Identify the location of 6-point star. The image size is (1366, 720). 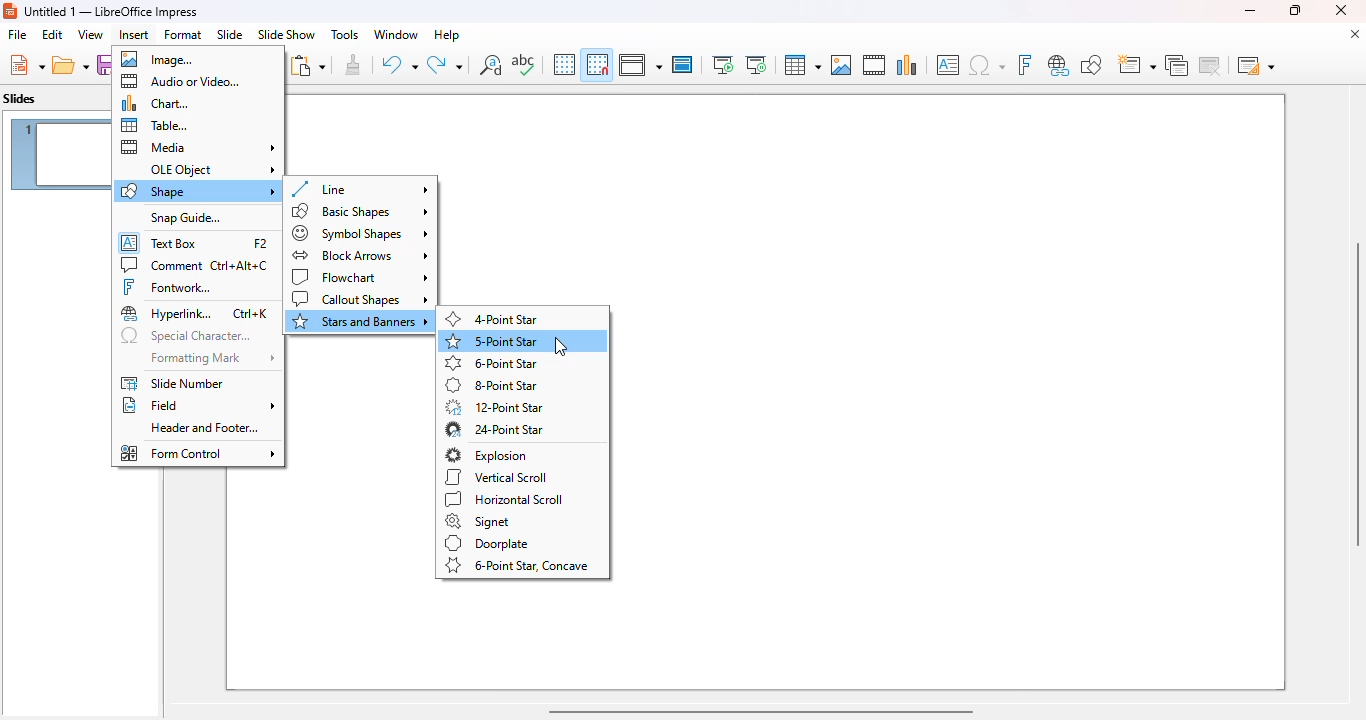
(493, 363).